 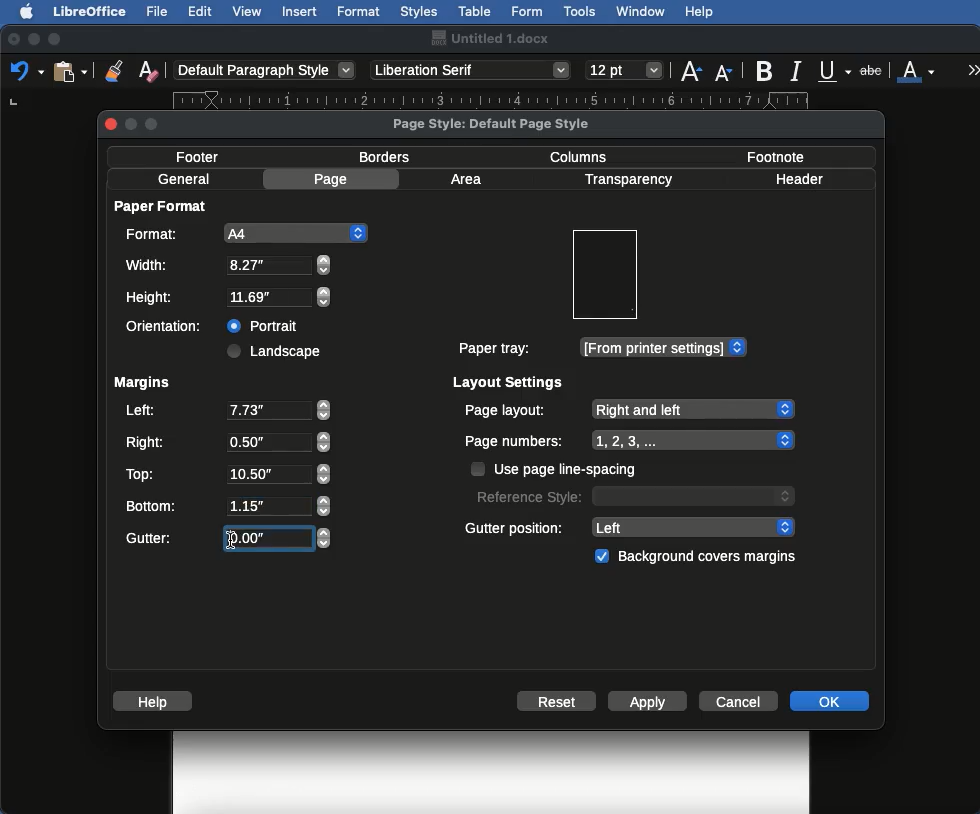 I want to click on Paragraph style, so click(x=266, y=70).